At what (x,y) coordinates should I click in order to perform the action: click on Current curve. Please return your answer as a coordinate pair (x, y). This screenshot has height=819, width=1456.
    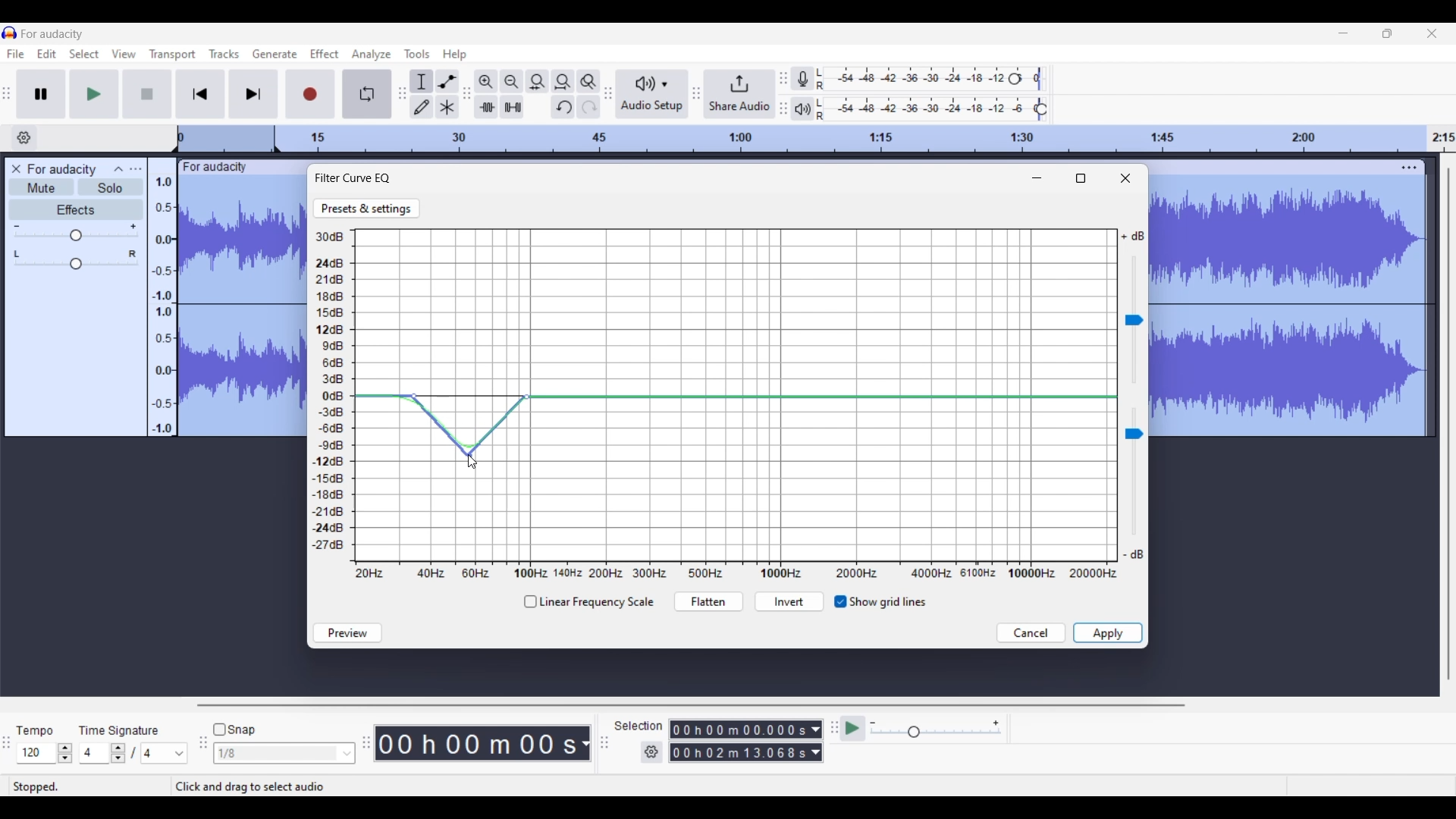
    Looking at the image, I should click on (736, 399).